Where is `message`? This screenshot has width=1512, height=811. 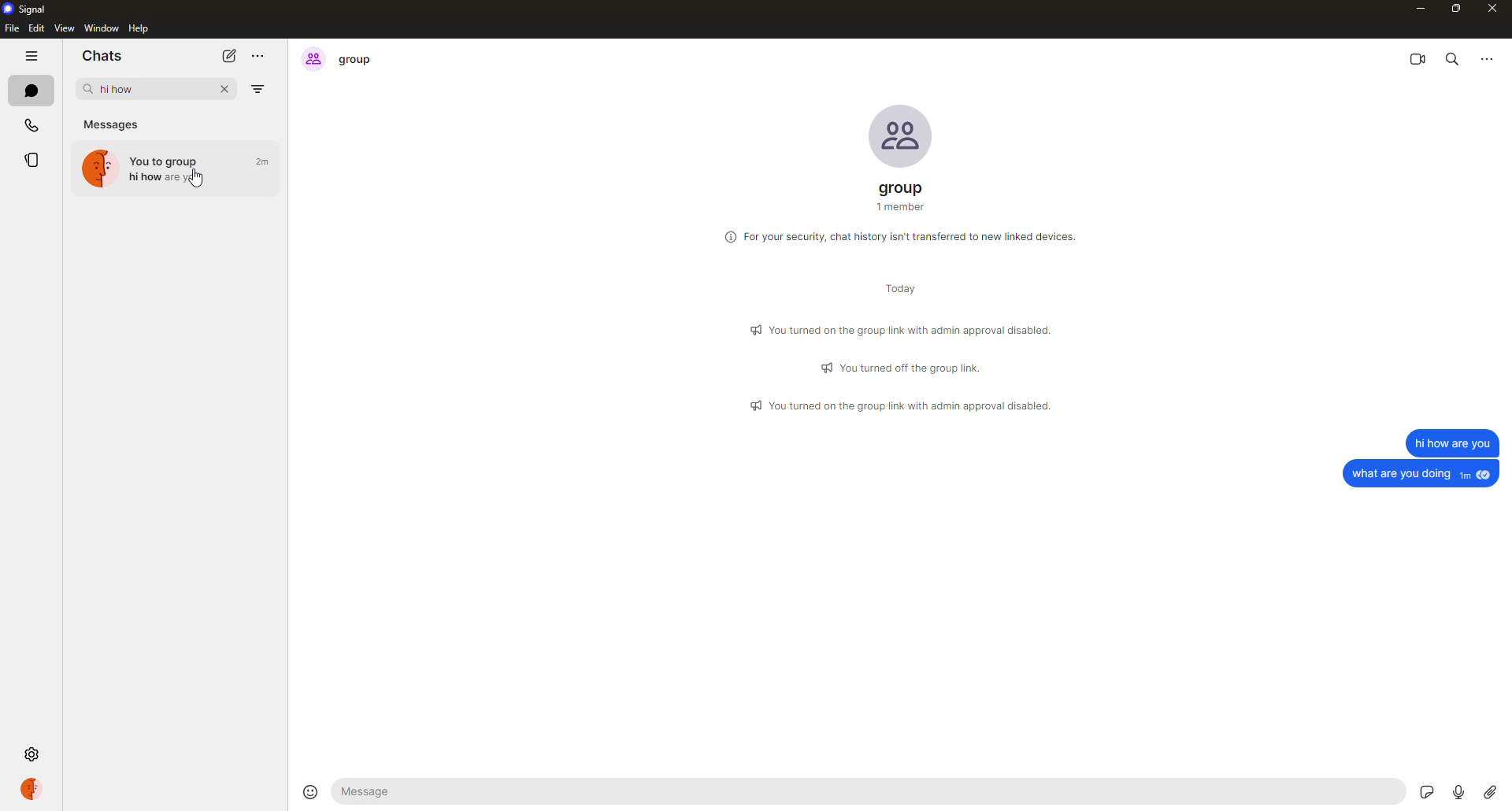 message is located at coordinates (1451, 442).